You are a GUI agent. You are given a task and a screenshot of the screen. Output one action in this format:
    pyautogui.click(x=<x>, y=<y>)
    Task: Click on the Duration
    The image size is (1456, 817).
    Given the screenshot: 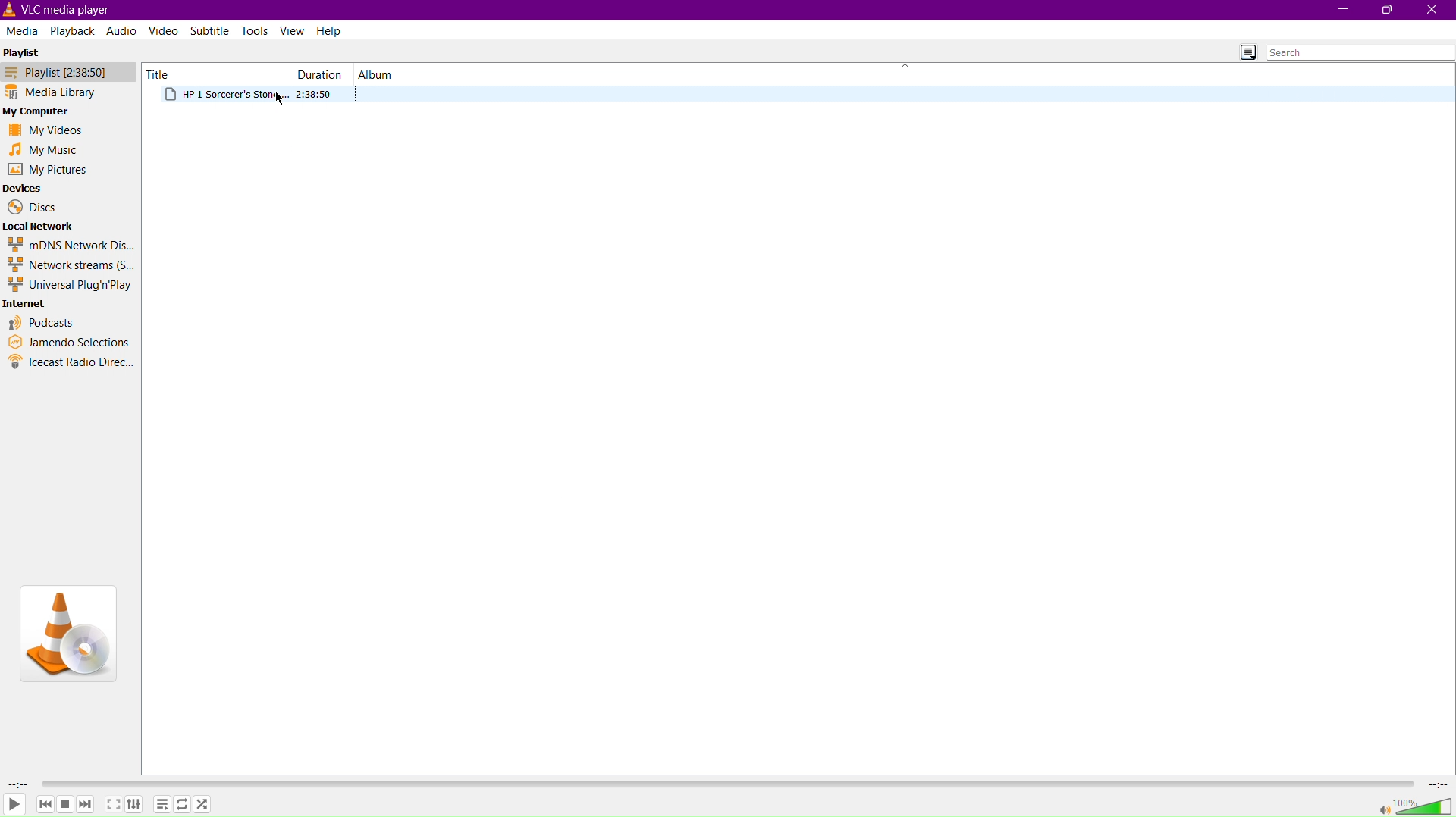 What is the action you would take?
    pyautogui.click(x=318, y=74)
    